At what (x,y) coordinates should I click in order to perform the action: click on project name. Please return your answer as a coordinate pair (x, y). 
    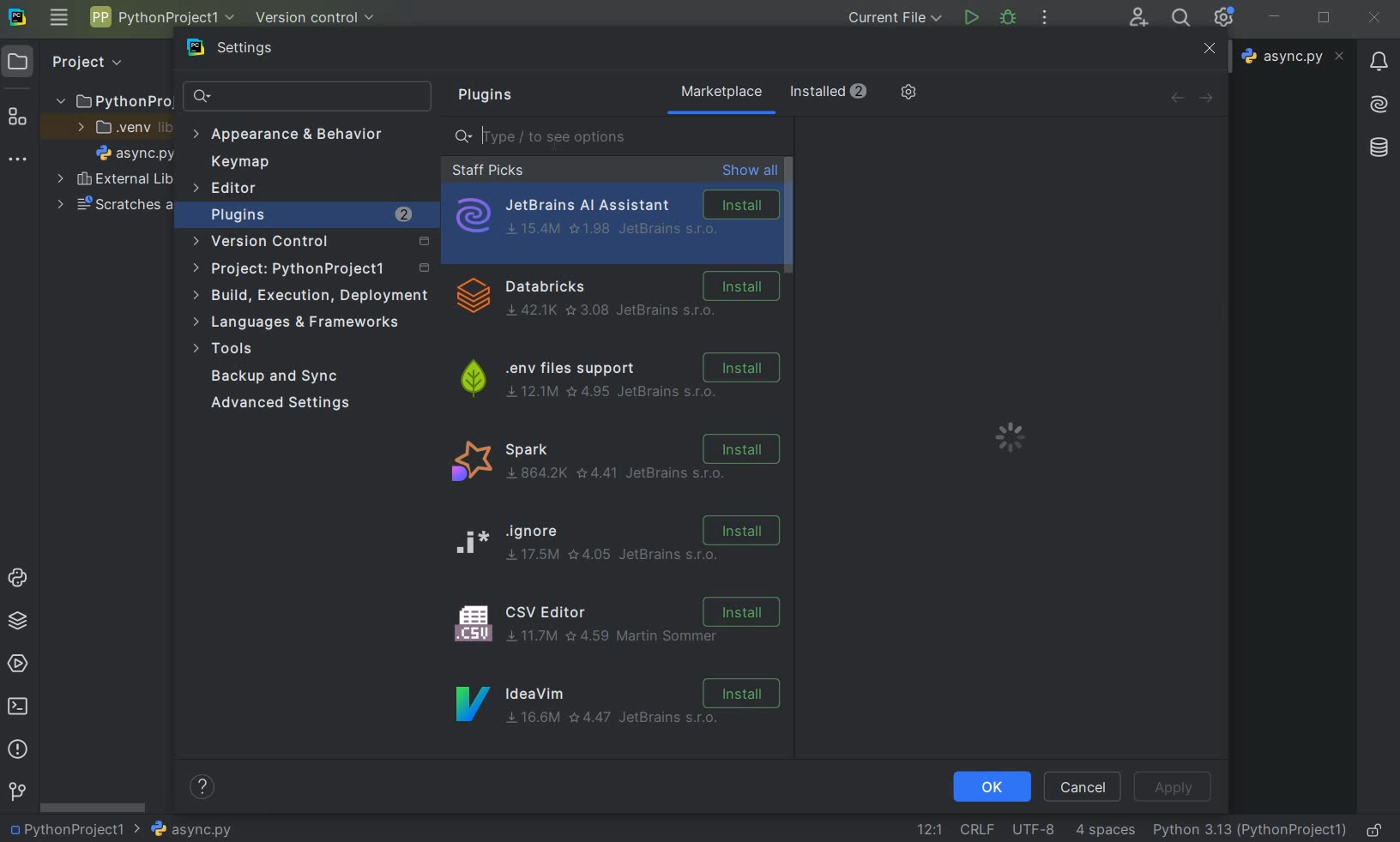
    Looking at the image, I should click on (160, 16).